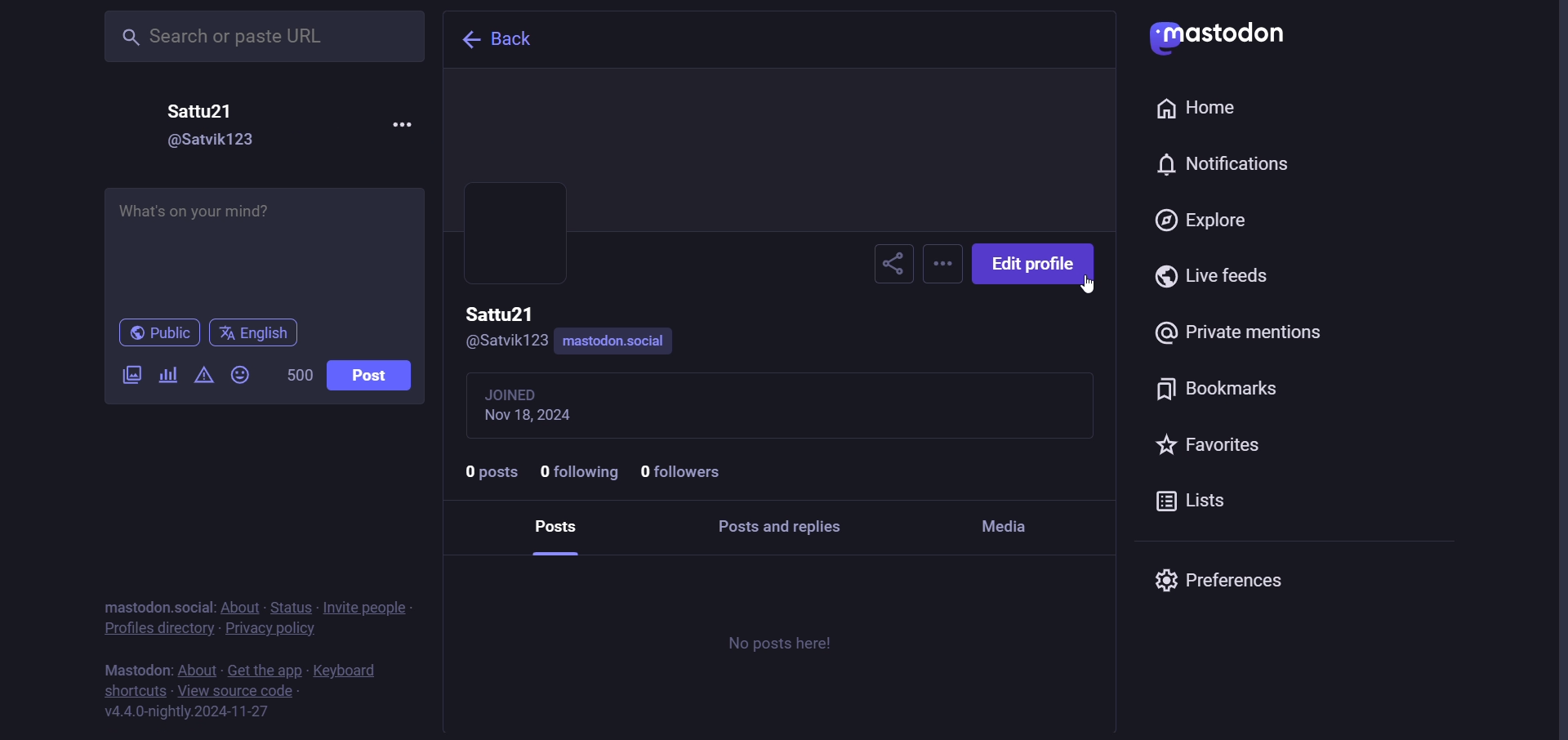 The image size is (1568, 740). Describe the element at coordinates (1209, 447) in the screenshot. I see `favorites` at that location.